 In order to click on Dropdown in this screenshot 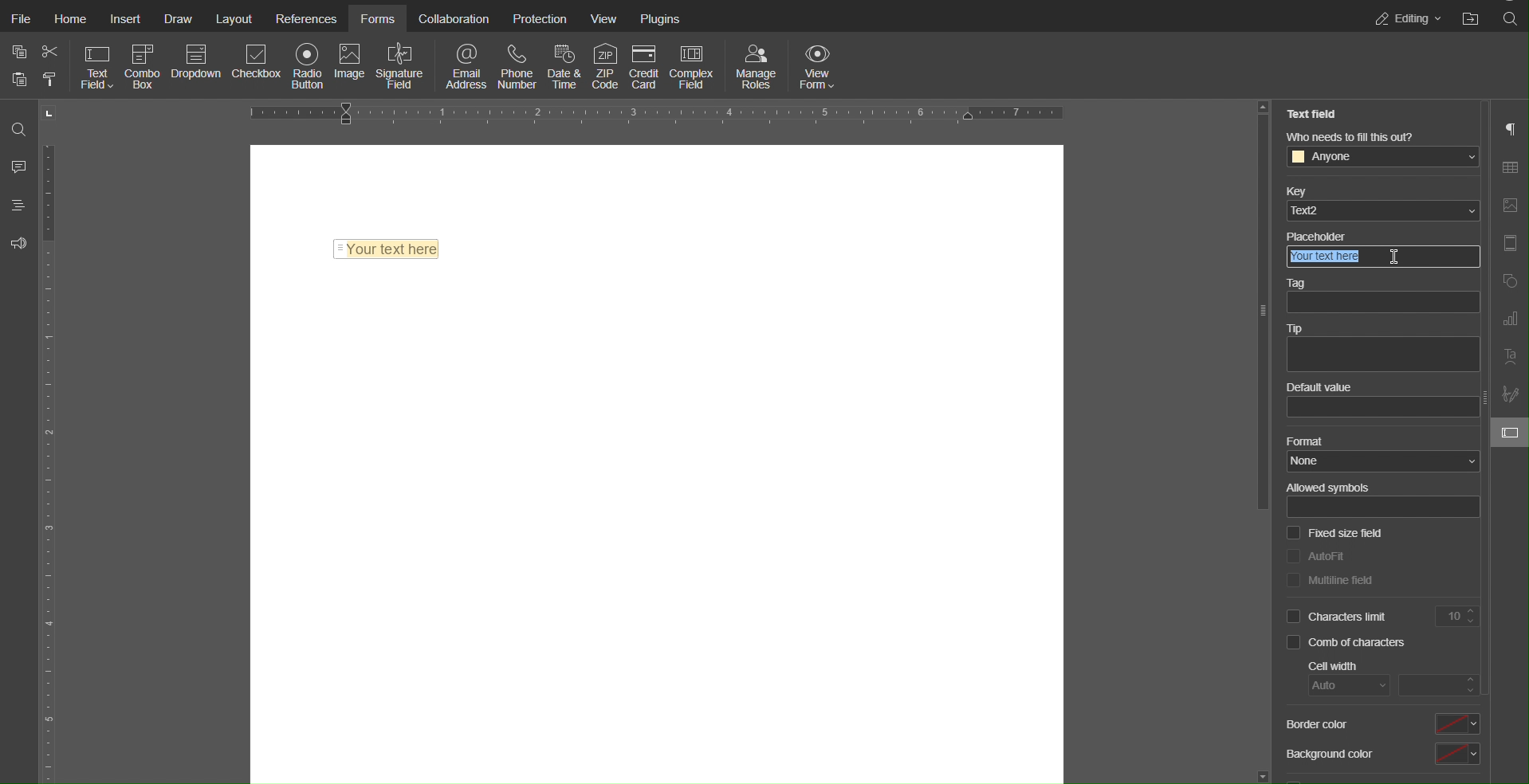, I will do `click(198, 67)`.